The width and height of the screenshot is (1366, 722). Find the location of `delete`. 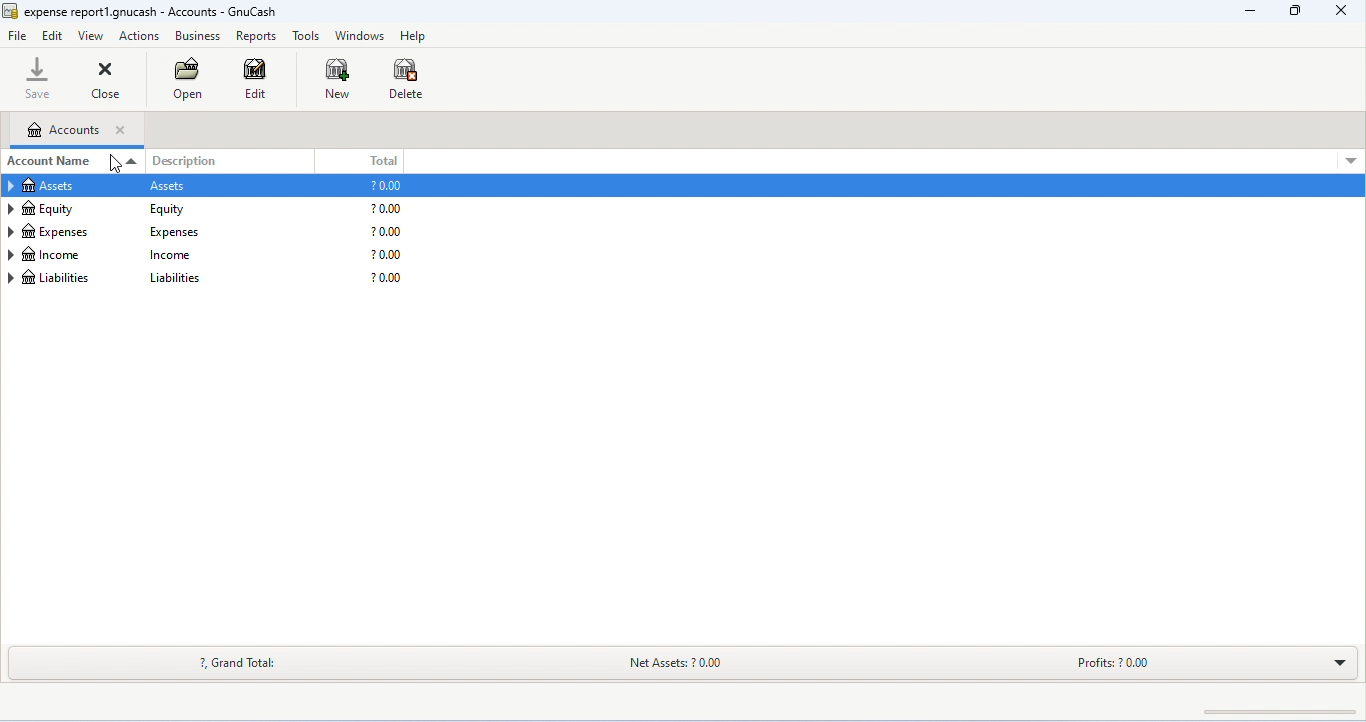

delete is located at coordinates (406, 77).